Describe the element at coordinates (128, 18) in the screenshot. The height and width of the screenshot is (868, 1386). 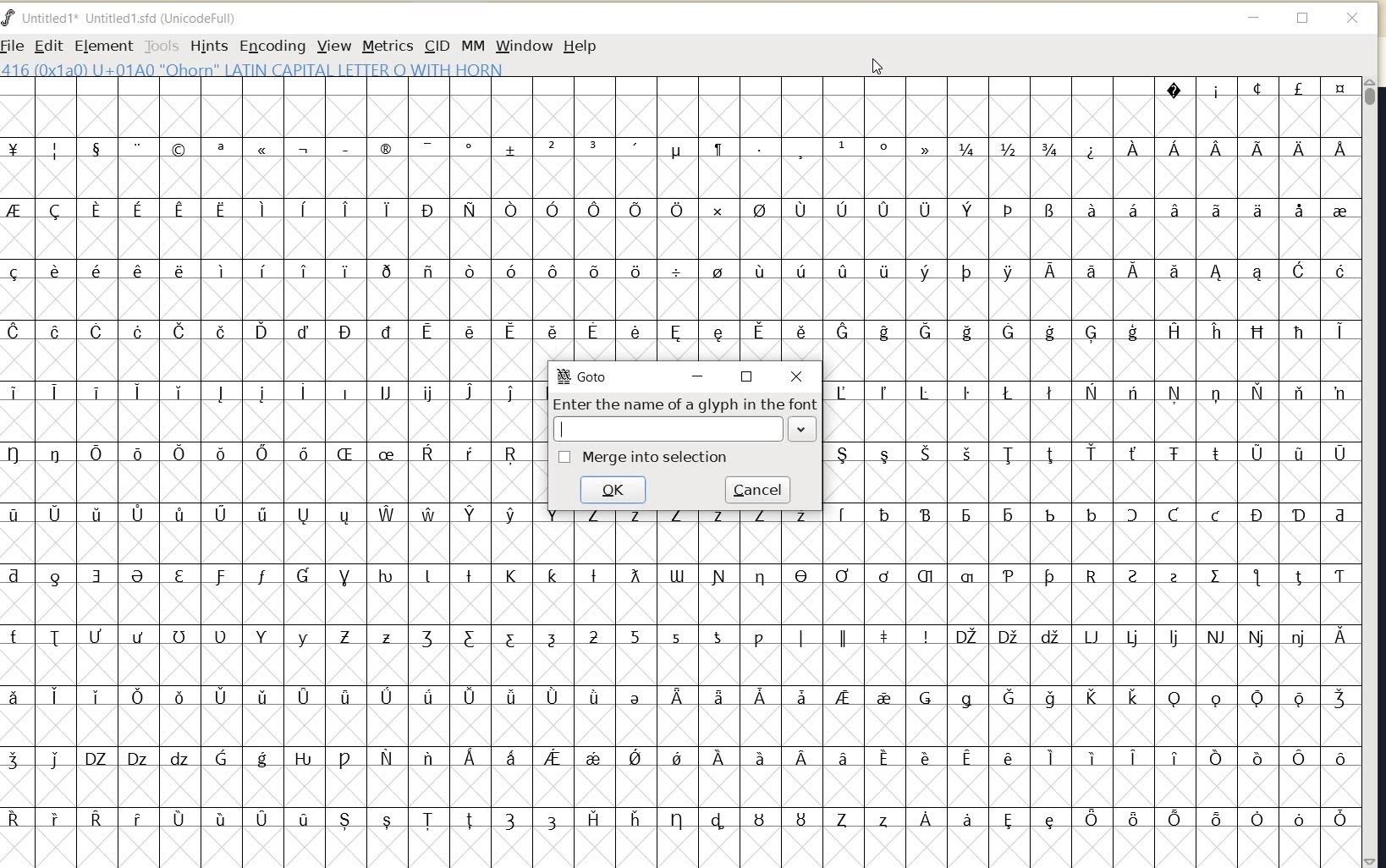
I see `FONT NAME` at that location.